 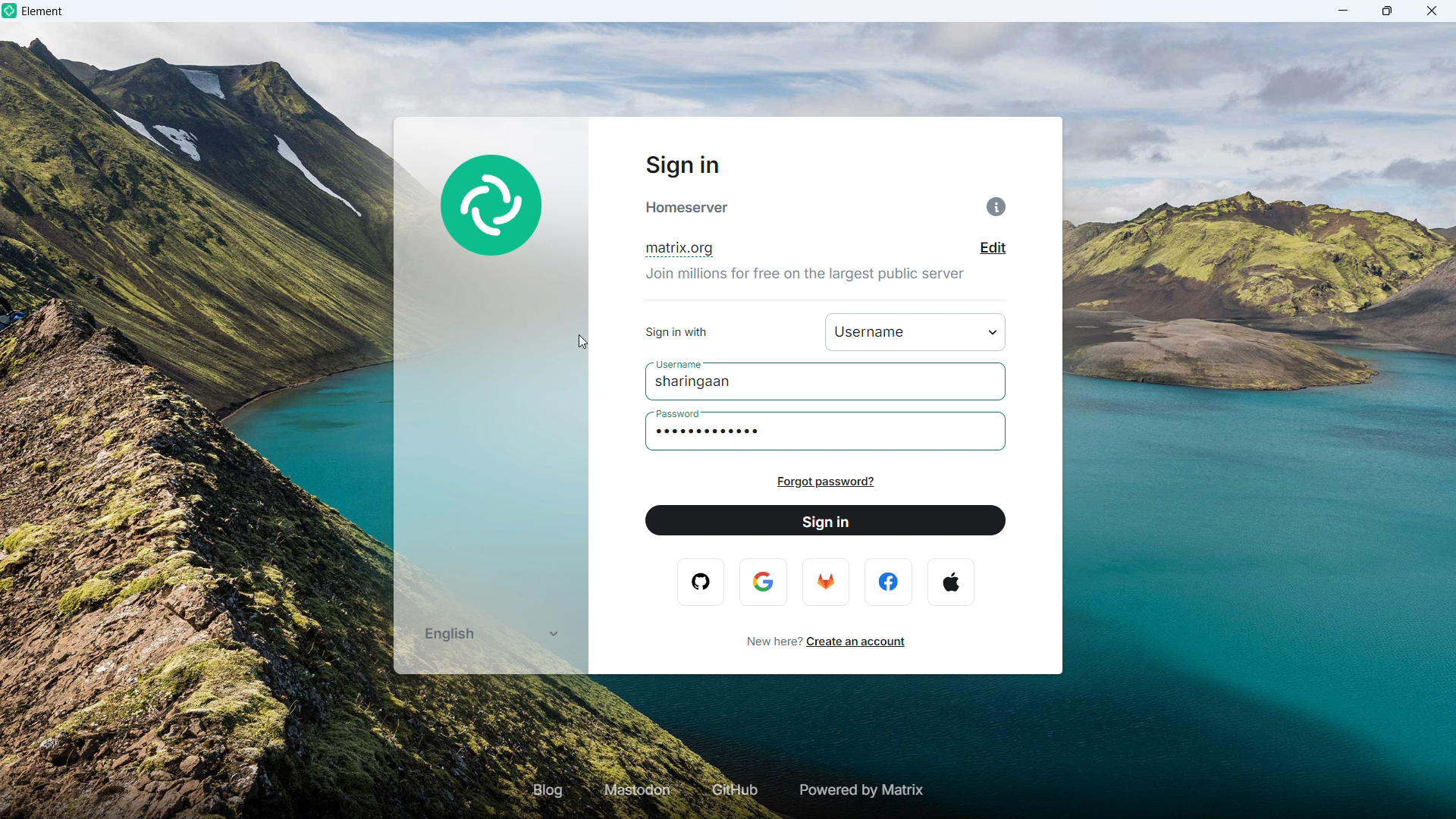 What do you see at coordinates (704, 582) in the screenshot?
I see `opera` at bounding box center [704, 582].